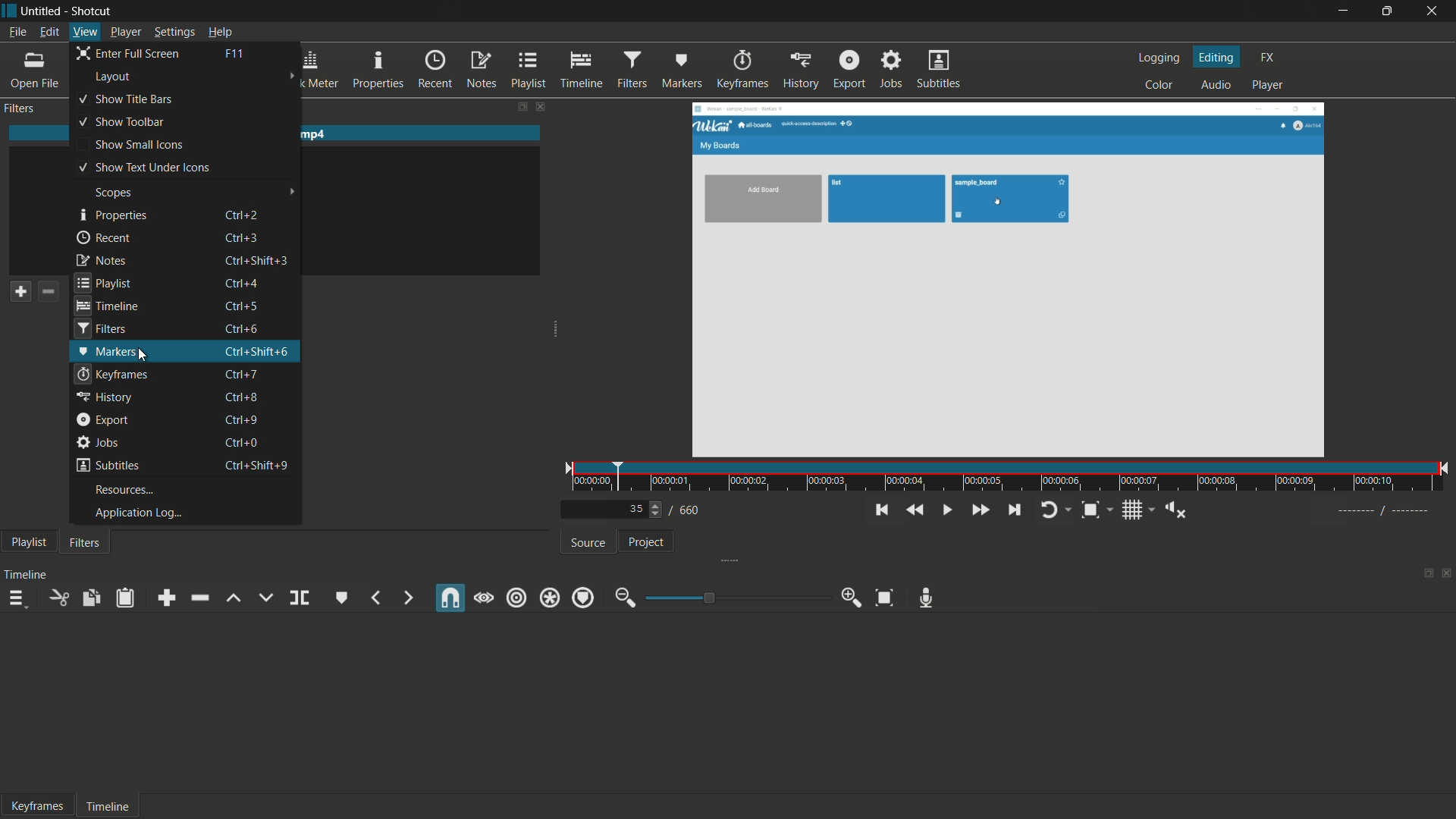 The image size is (1456, 819). Describe the element at coordinates (243, 305) in the screenshot. I see `keyboard shortcut` at that location.